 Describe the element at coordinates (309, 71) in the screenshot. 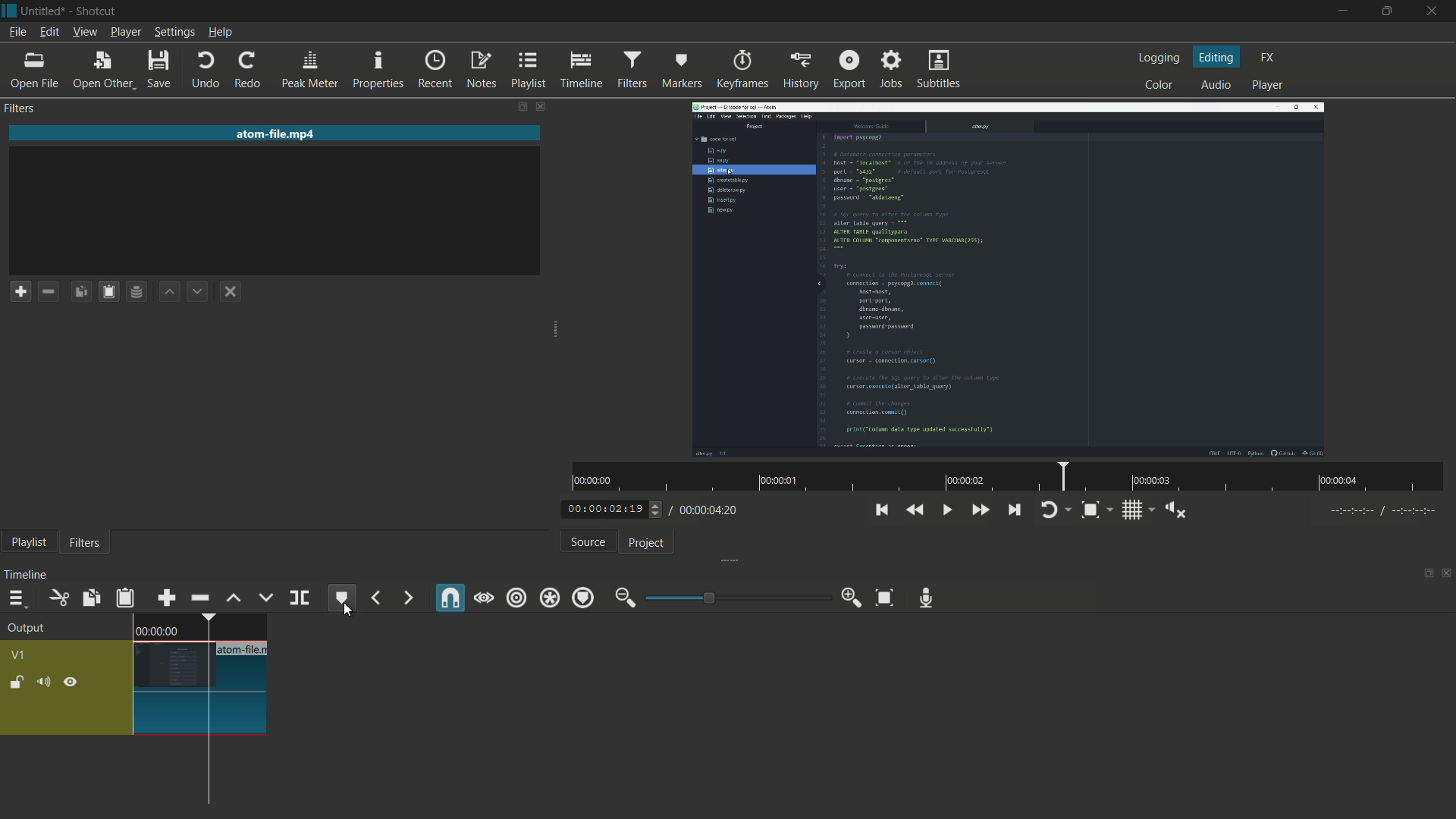

I see `peak meter` at that location.